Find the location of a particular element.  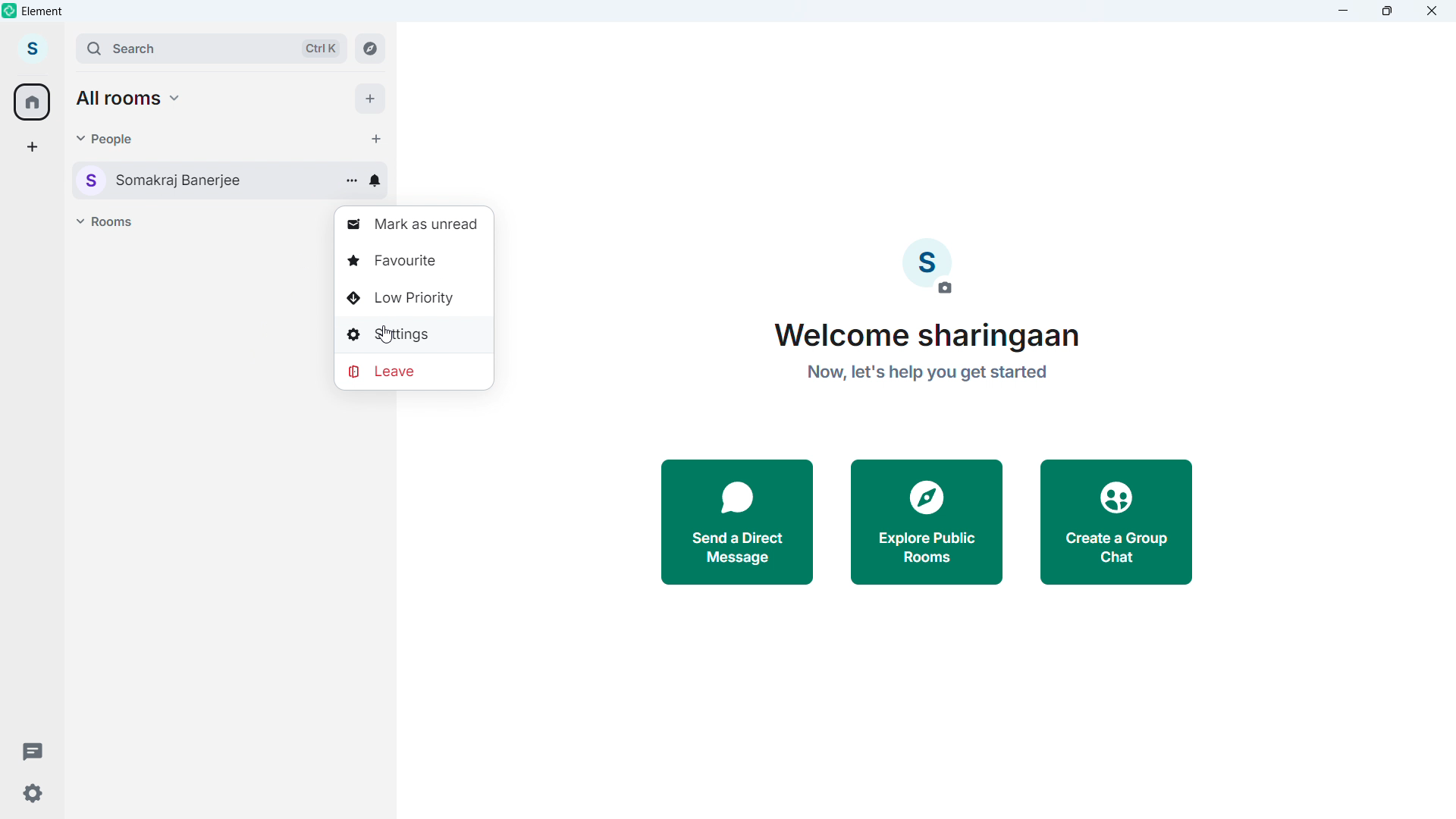

Add  is located at coordinates (369, 98).